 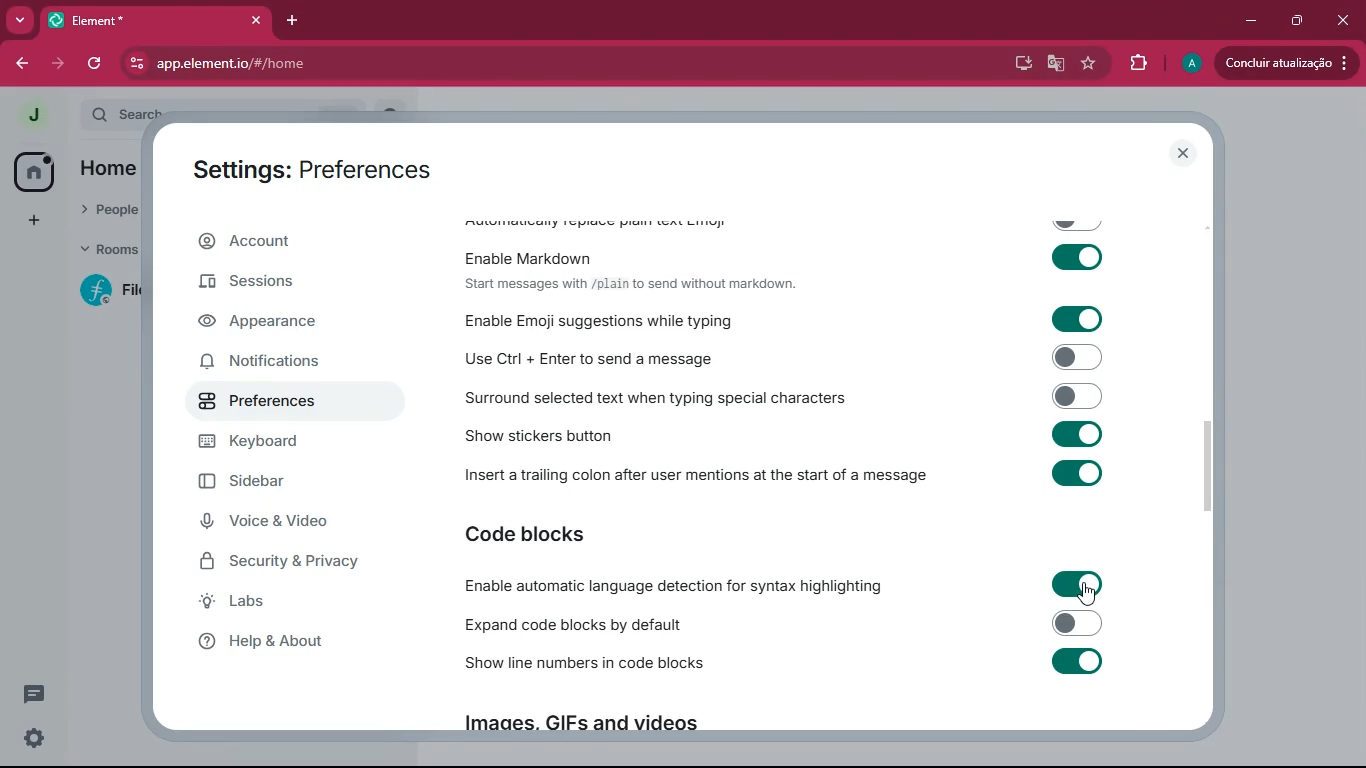 What do you see at coordinates (1184, 154) in the screenshot?
I see `close` at bounding box center [1184, 154].